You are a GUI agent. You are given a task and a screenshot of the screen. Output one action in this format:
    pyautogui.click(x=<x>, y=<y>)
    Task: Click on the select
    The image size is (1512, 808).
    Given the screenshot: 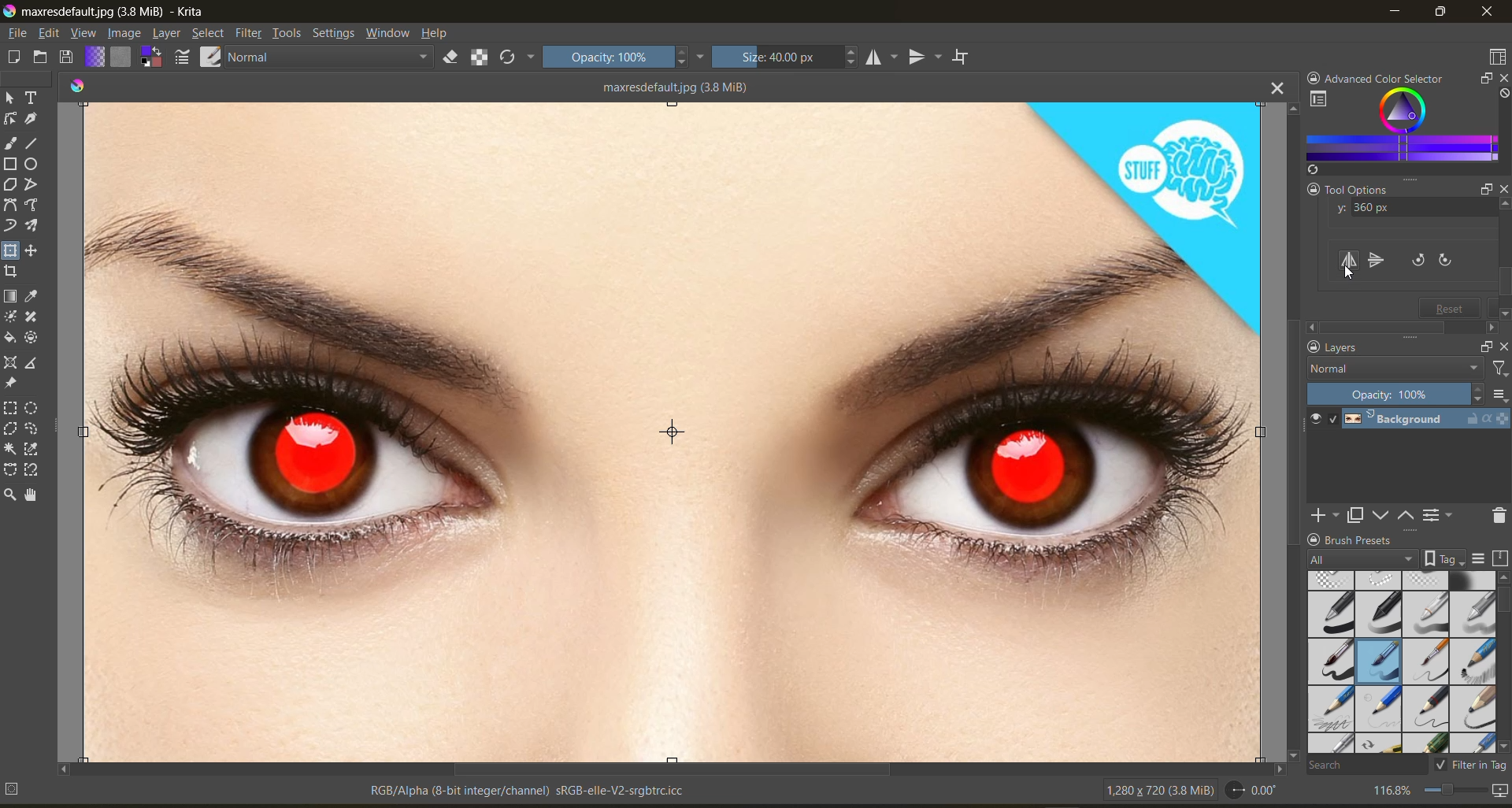 What is the action you would take?
    pyautogui.click(x=209, y=35)
    